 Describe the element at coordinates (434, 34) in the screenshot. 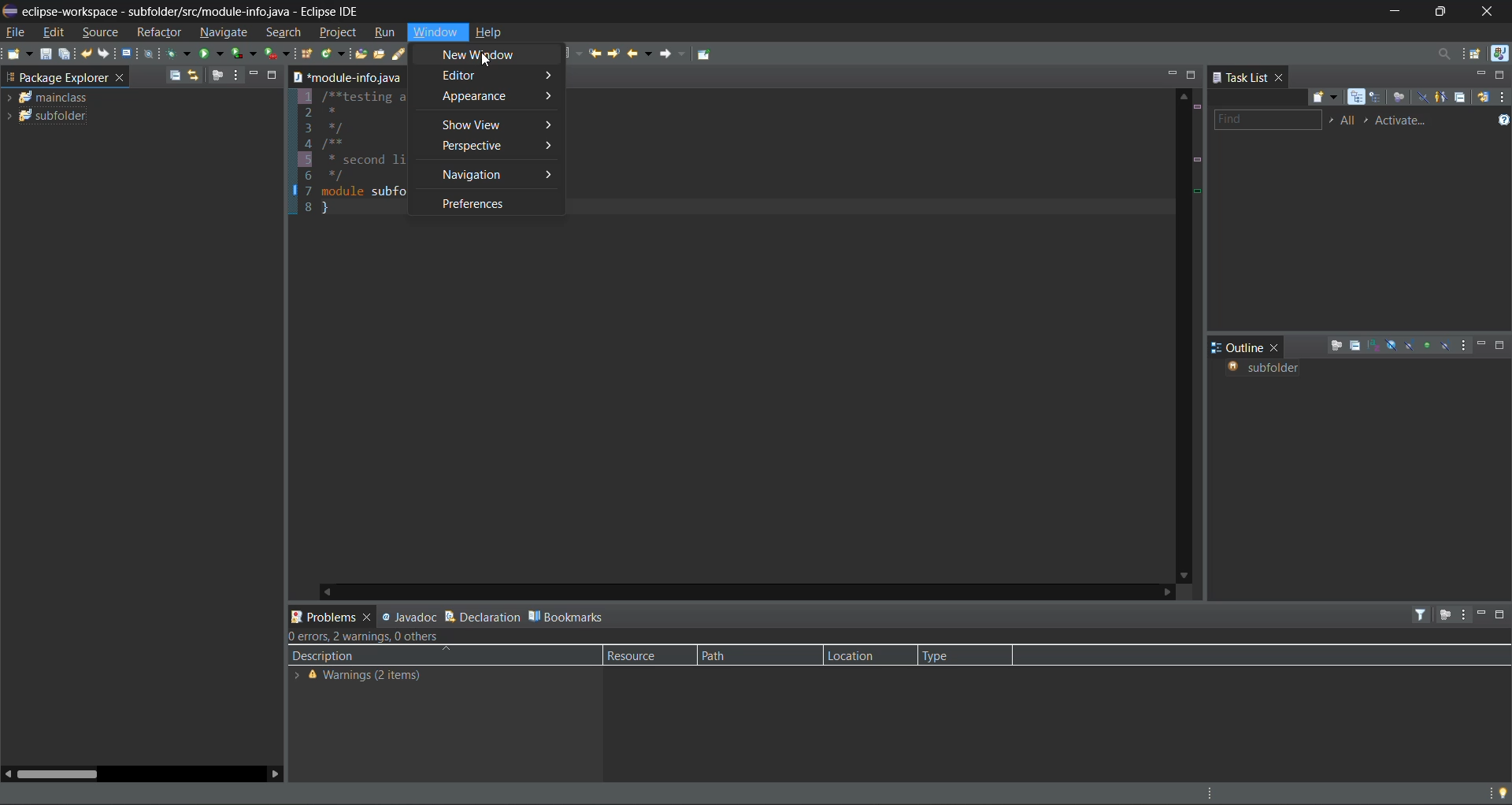

I see `window` at that location.